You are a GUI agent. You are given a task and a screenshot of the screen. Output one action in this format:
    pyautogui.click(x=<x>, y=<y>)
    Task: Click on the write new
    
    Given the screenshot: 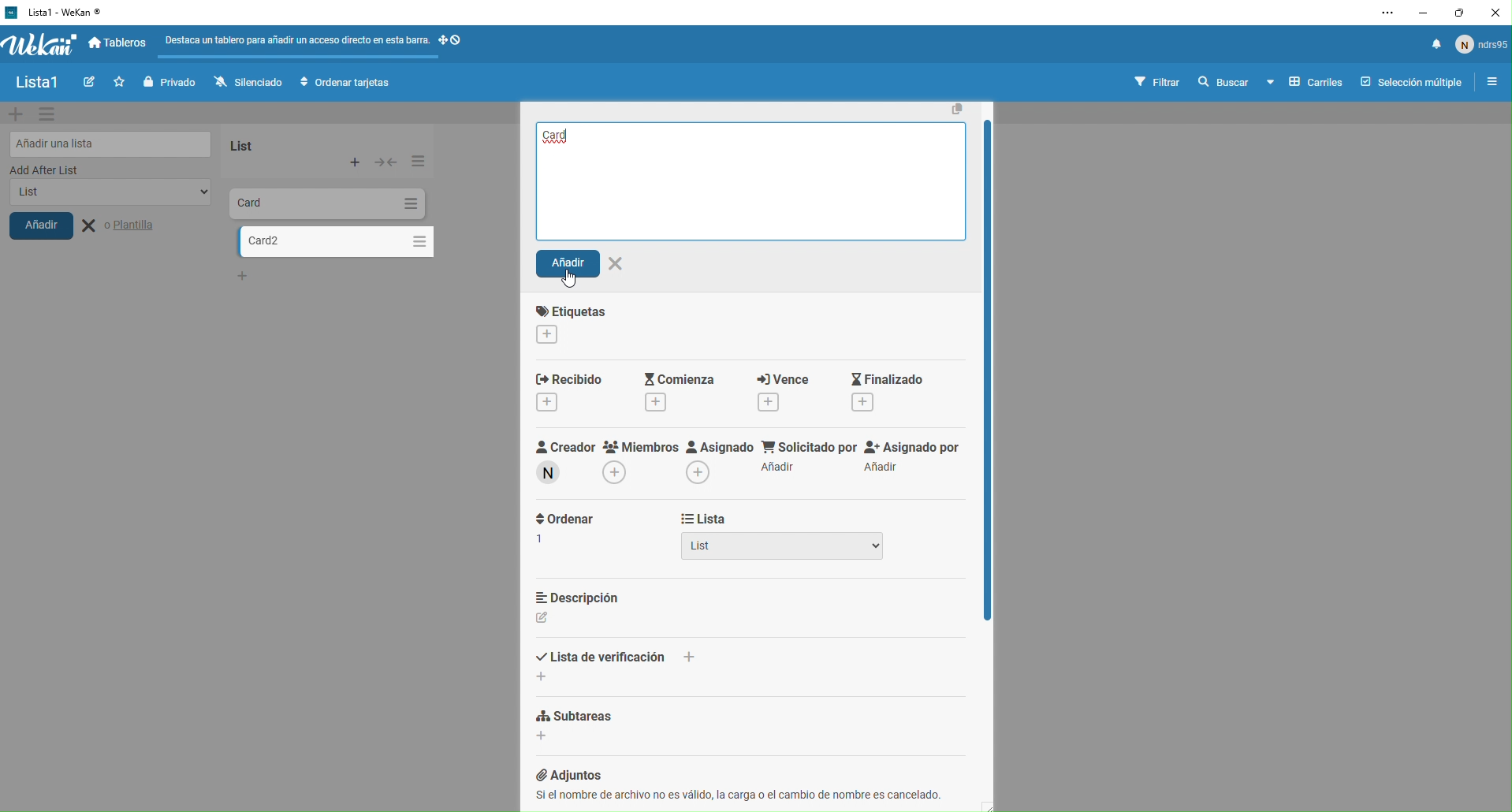 What is the action you would take?
    pyautogui.click(x=87, y=84)
    